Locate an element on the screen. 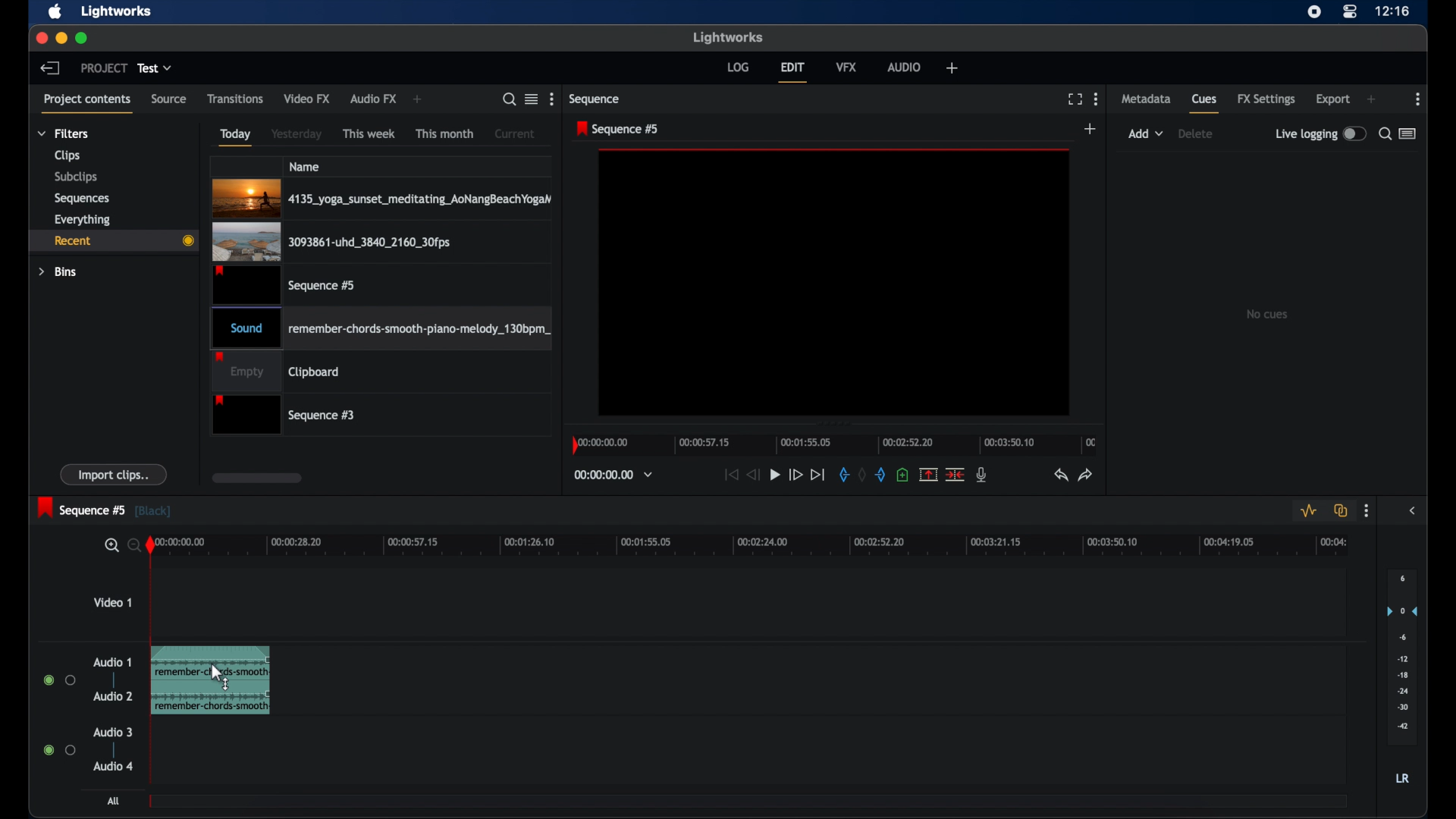  toggle list or tile view is located at coordinates (532, 98).